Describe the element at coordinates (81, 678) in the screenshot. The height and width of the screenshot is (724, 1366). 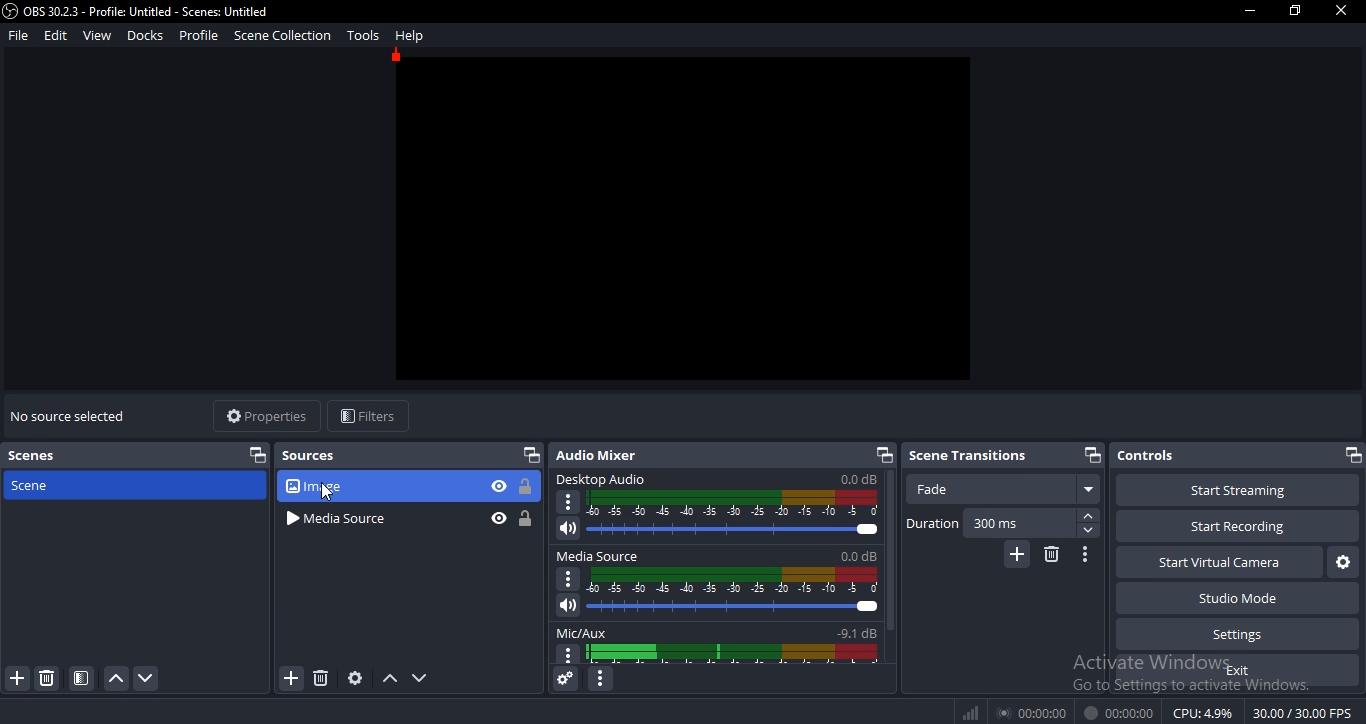
I see `scene` at that location.